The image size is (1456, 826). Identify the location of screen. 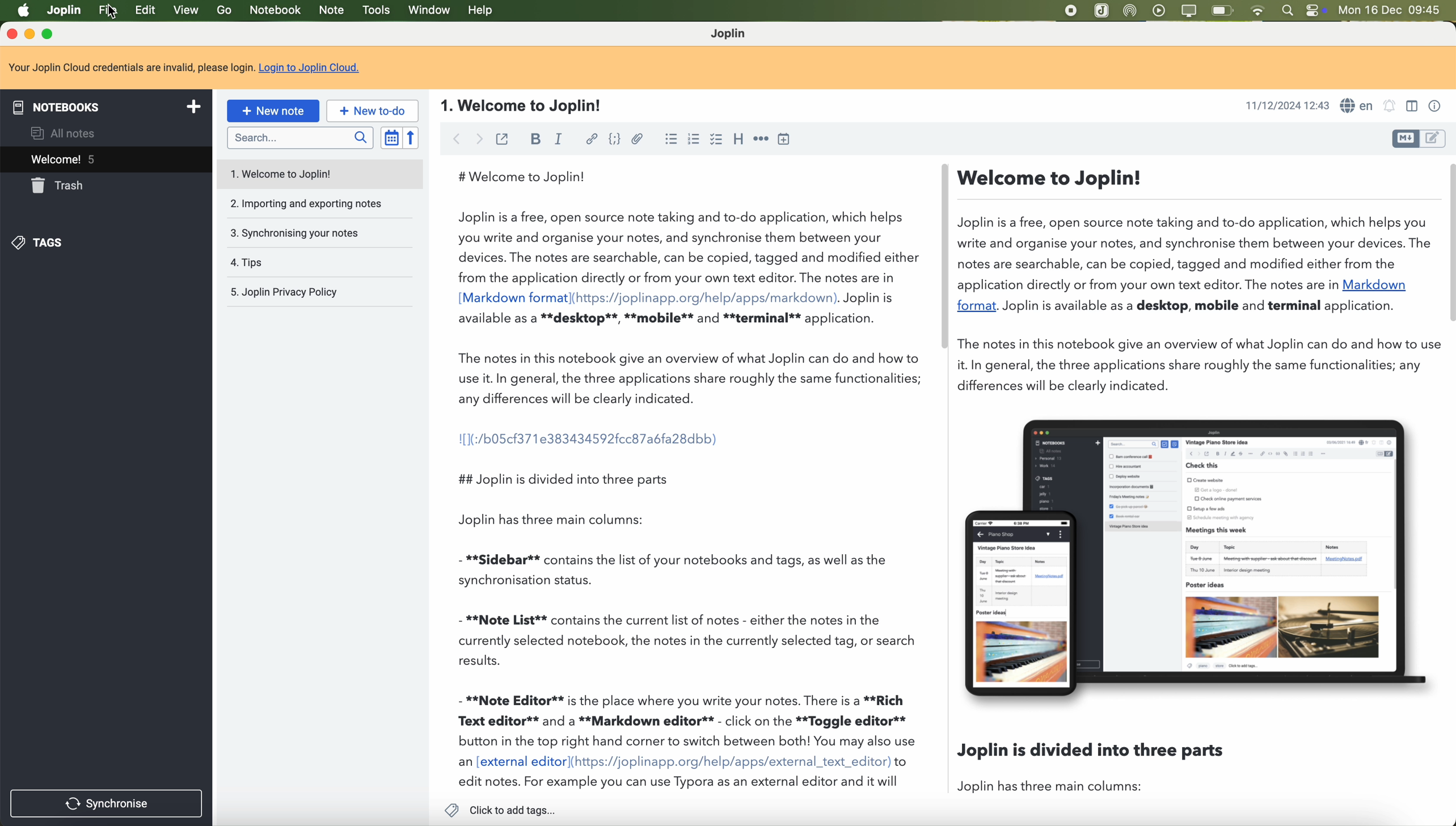
(1189, 11).